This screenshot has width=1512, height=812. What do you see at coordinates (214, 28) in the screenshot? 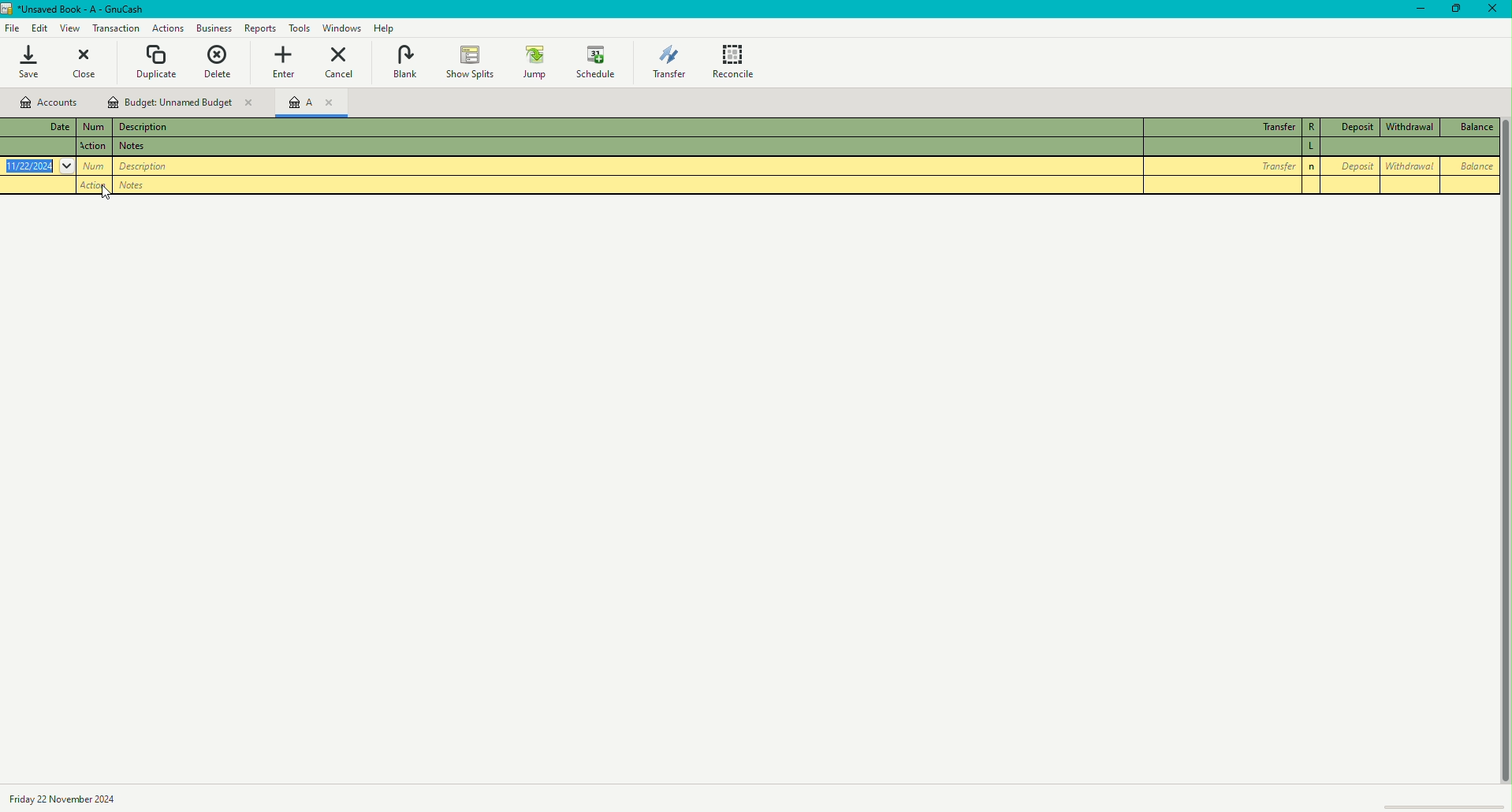
I see `Business` at bounding box center [214, 28].